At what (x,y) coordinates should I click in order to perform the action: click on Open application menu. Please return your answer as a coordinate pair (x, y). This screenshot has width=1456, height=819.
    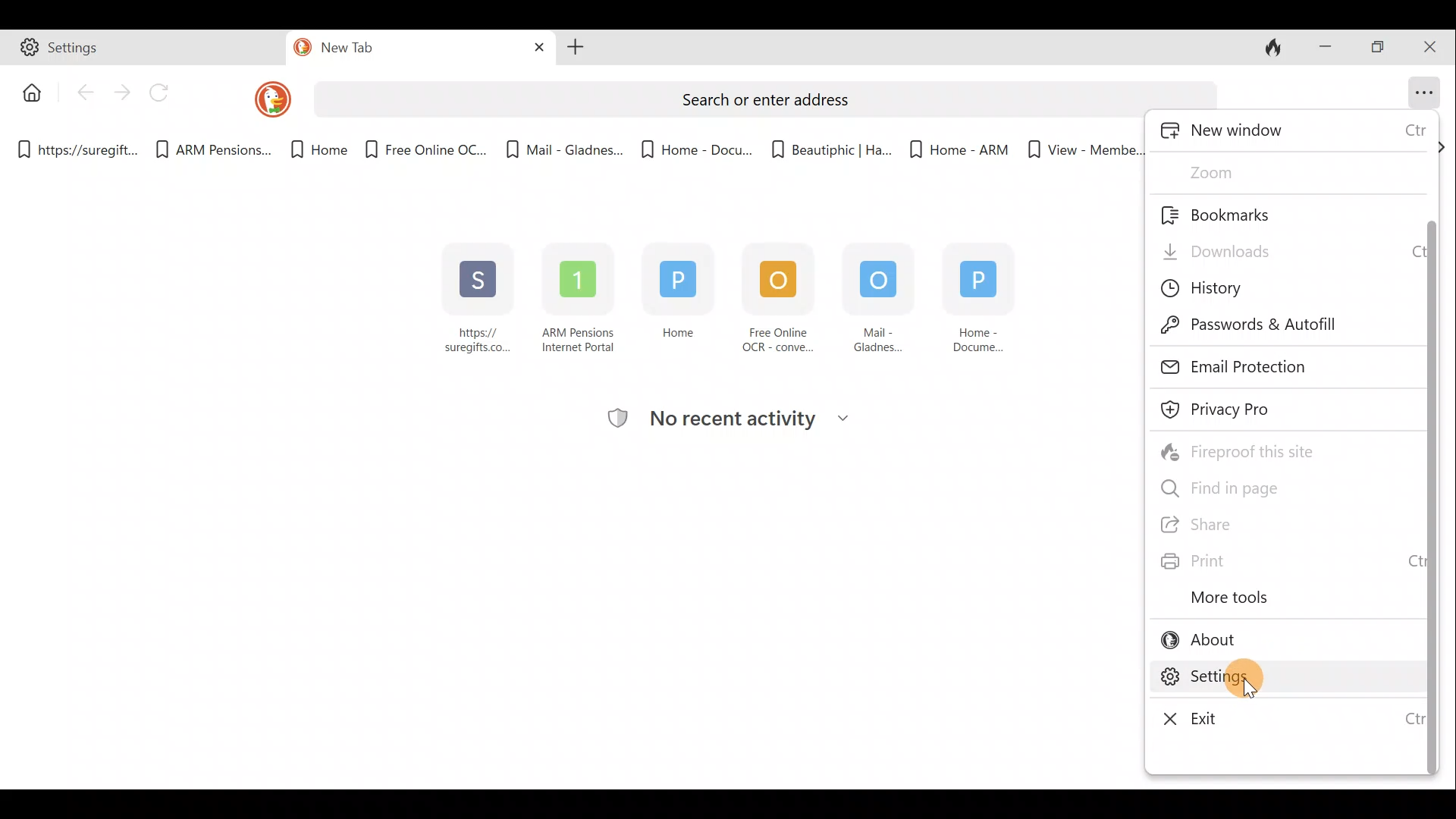
    Looking at the image, I should click on (1428, 93).